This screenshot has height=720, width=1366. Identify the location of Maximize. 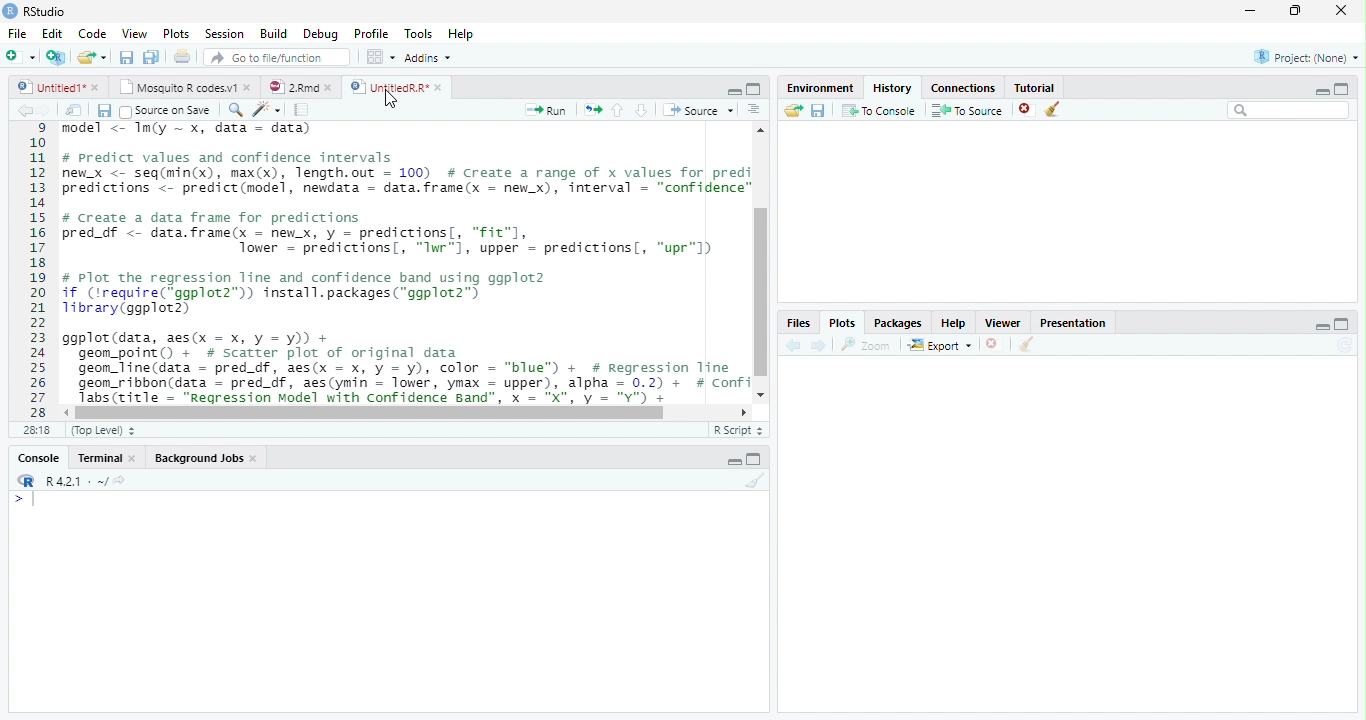
(1294, 10).